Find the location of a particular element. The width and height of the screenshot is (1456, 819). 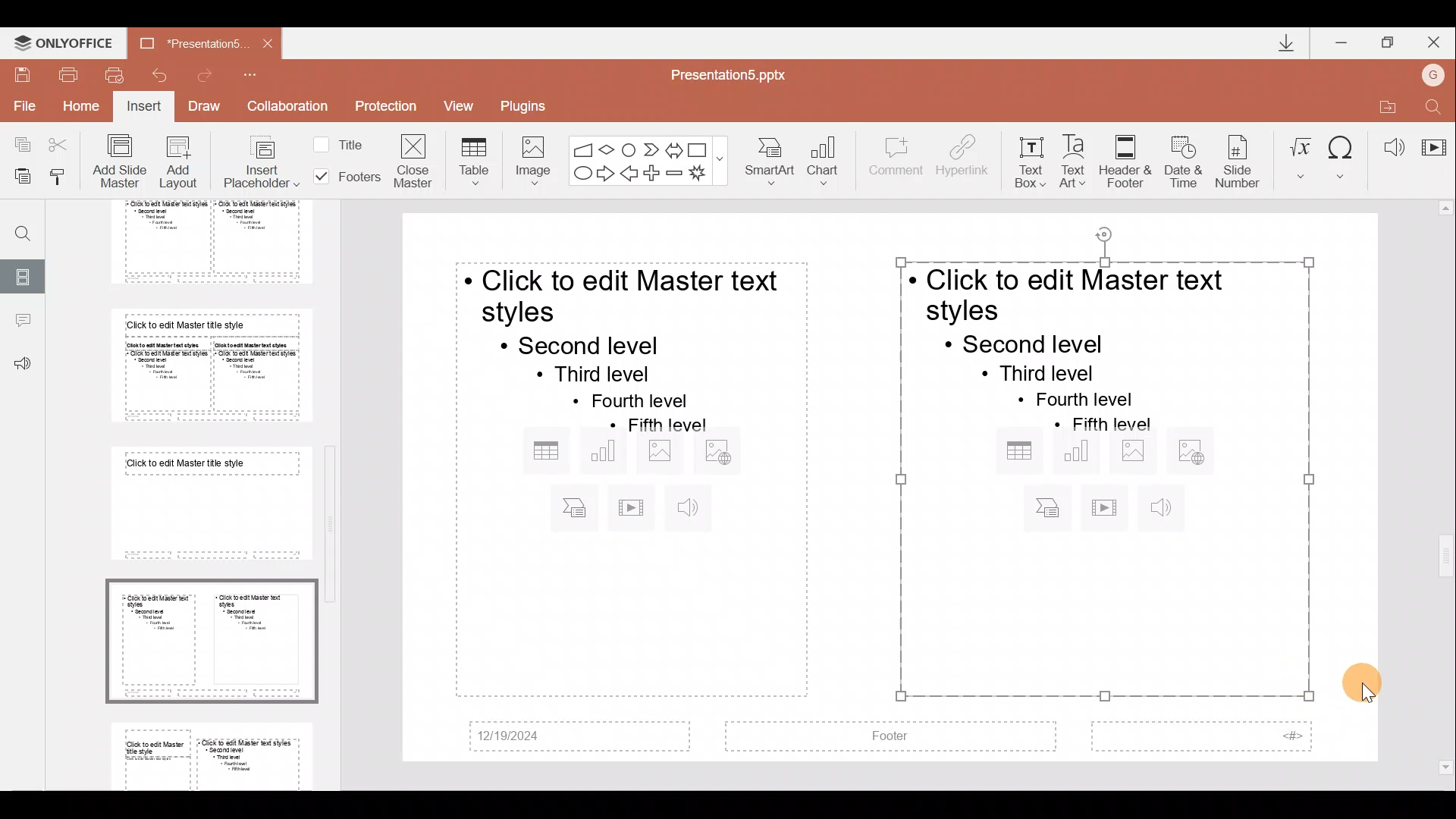

Minimize is located at coordinates (1342, 39).